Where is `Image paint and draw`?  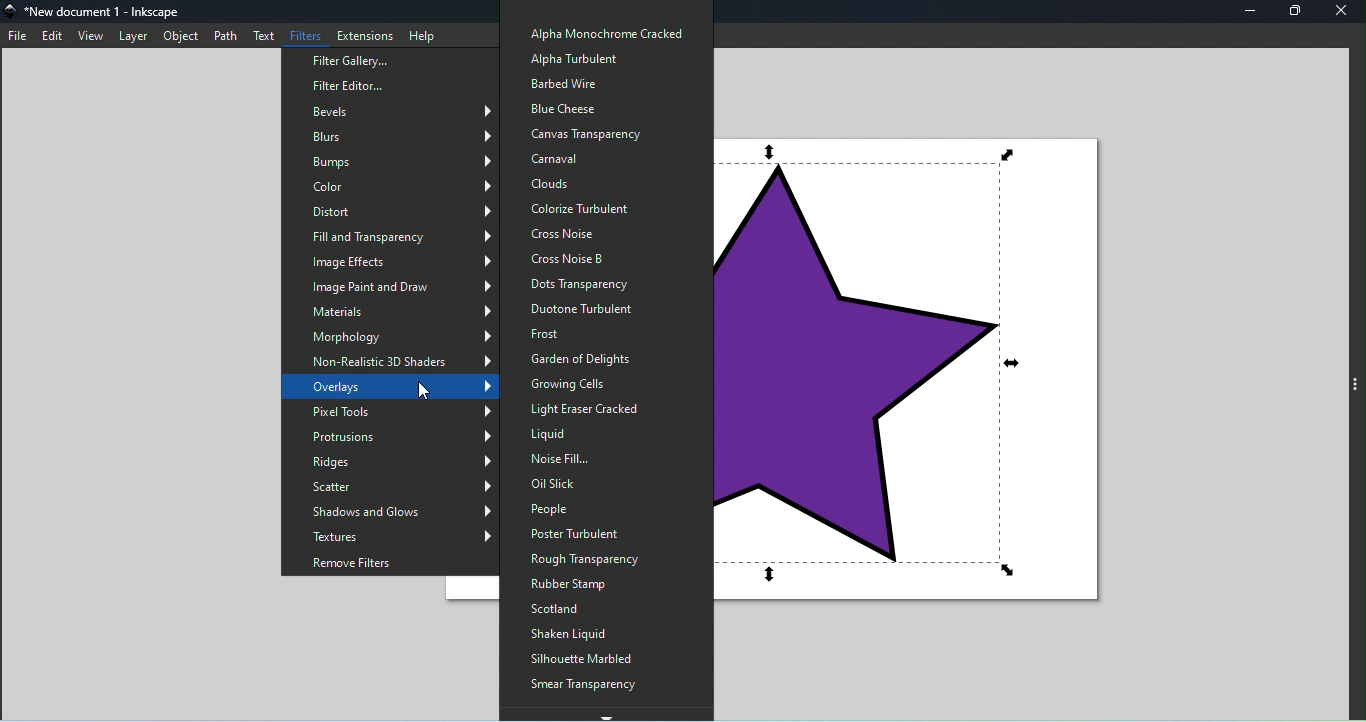
Image paint and draw is located at coordinates (401, 288).